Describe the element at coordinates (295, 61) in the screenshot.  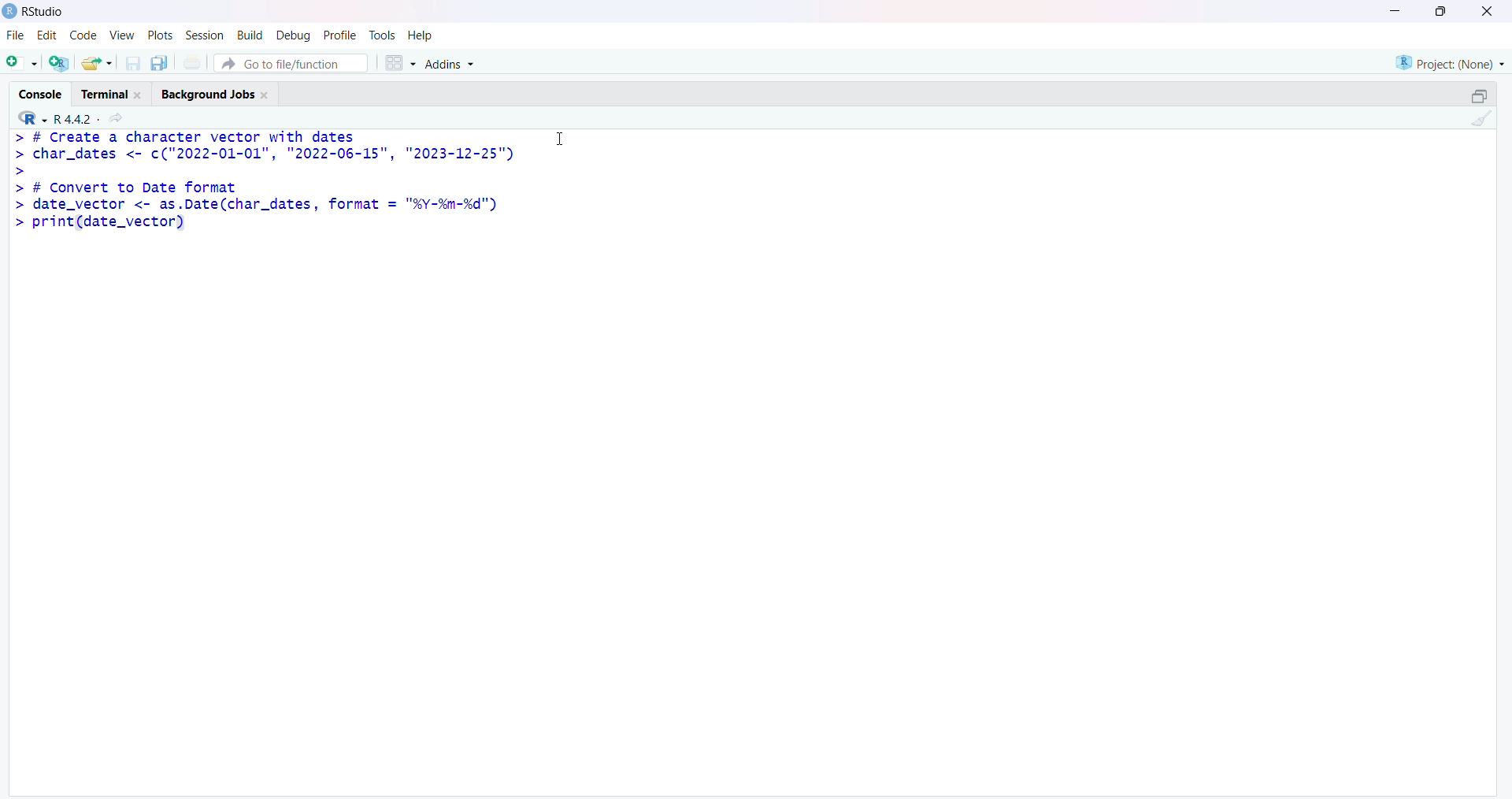
I see `Go to file/function` at that location.